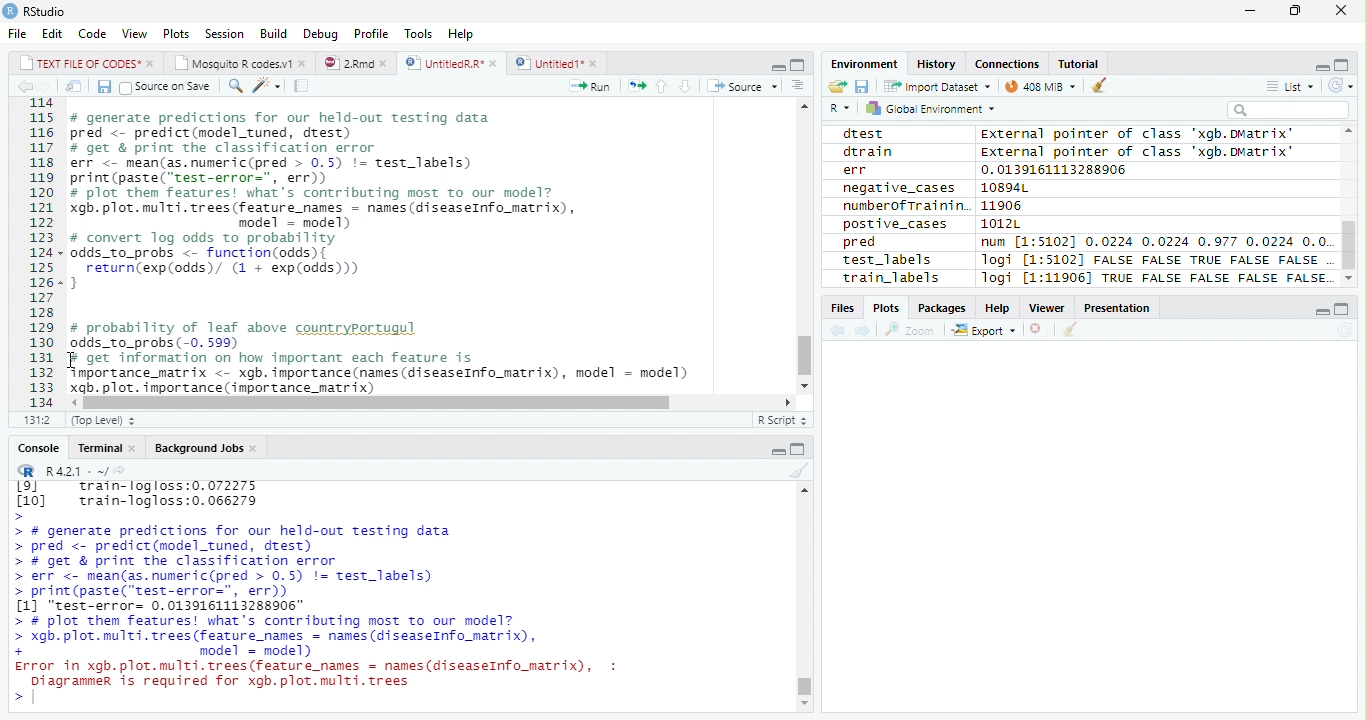  What do you see at coordinates (319, 35) in the screenshot?
I see `Debug` at bounding box center [319, 35].